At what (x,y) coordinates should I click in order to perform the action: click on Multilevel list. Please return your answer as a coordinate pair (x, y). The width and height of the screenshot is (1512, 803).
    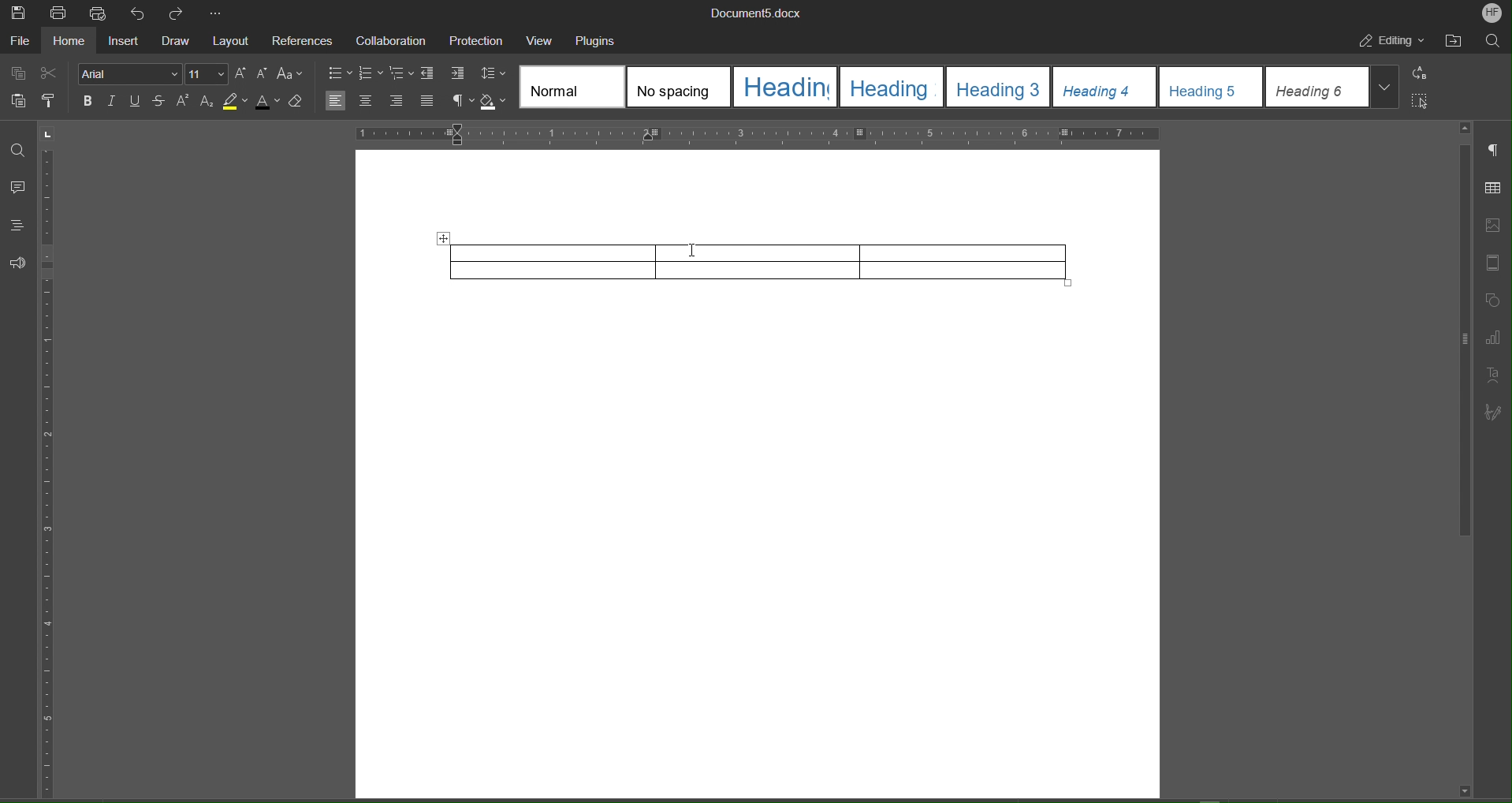
    Looking at the image, I should click on (402, 74).